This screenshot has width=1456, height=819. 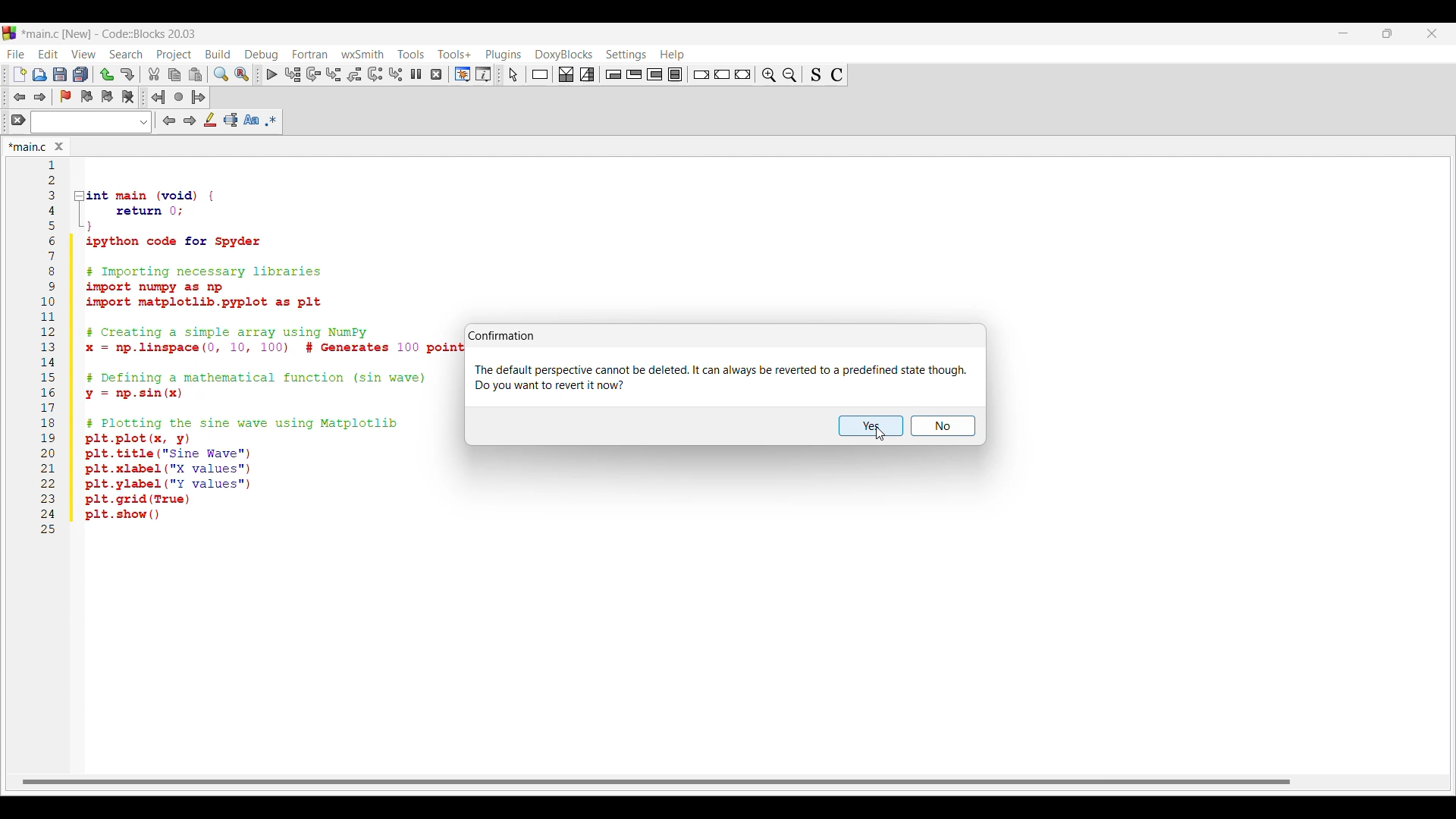 What do you see at coordinates (871, 425) in the screenshot?
I see `Yes` at bounding box center [871, 425].